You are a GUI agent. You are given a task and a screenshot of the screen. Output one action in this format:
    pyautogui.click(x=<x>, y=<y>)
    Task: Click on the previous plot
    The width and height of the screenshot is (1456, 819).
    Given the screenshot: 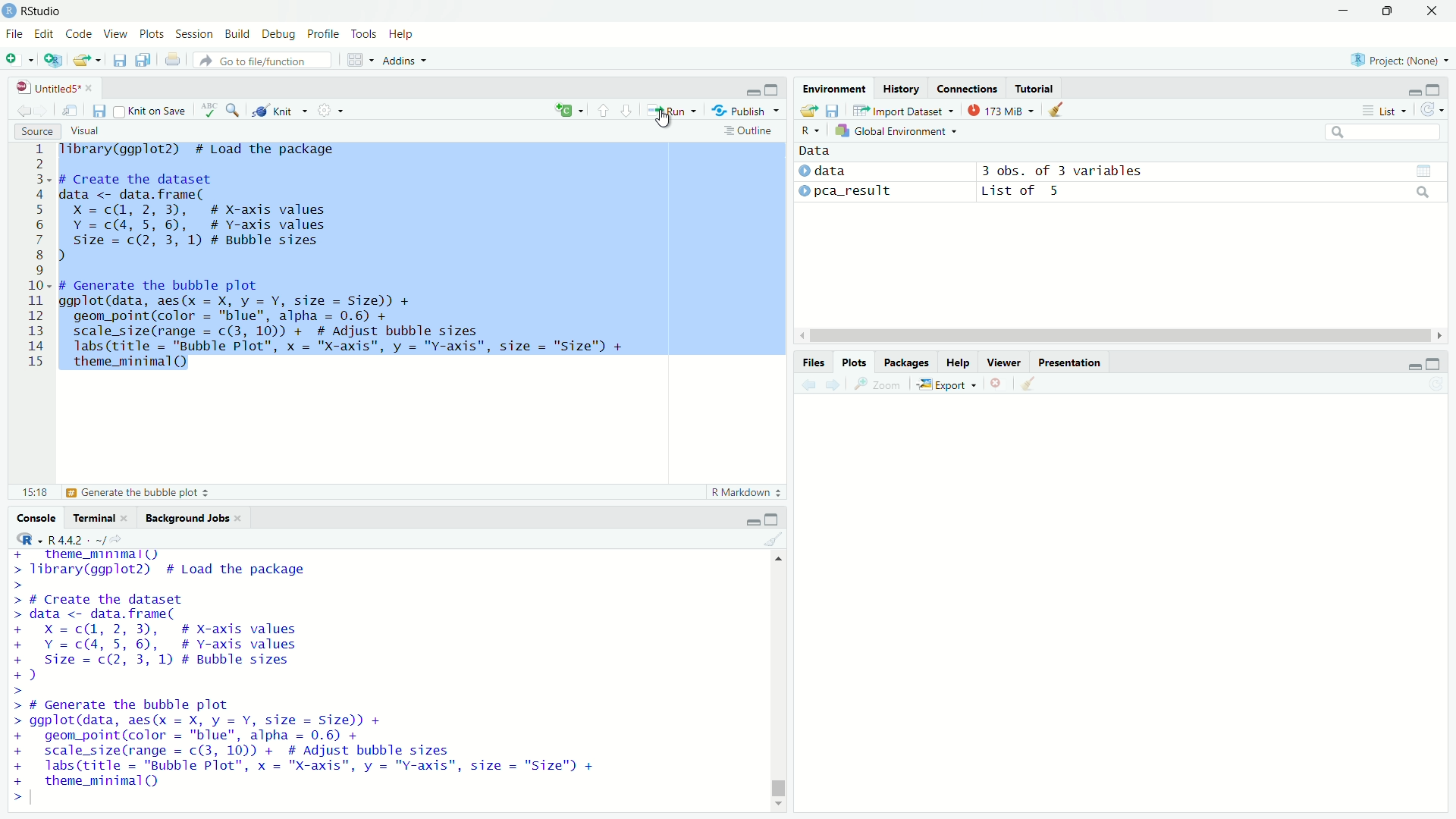 What is the action you would take?
    pyautogui.click(x=807, y=384)
    